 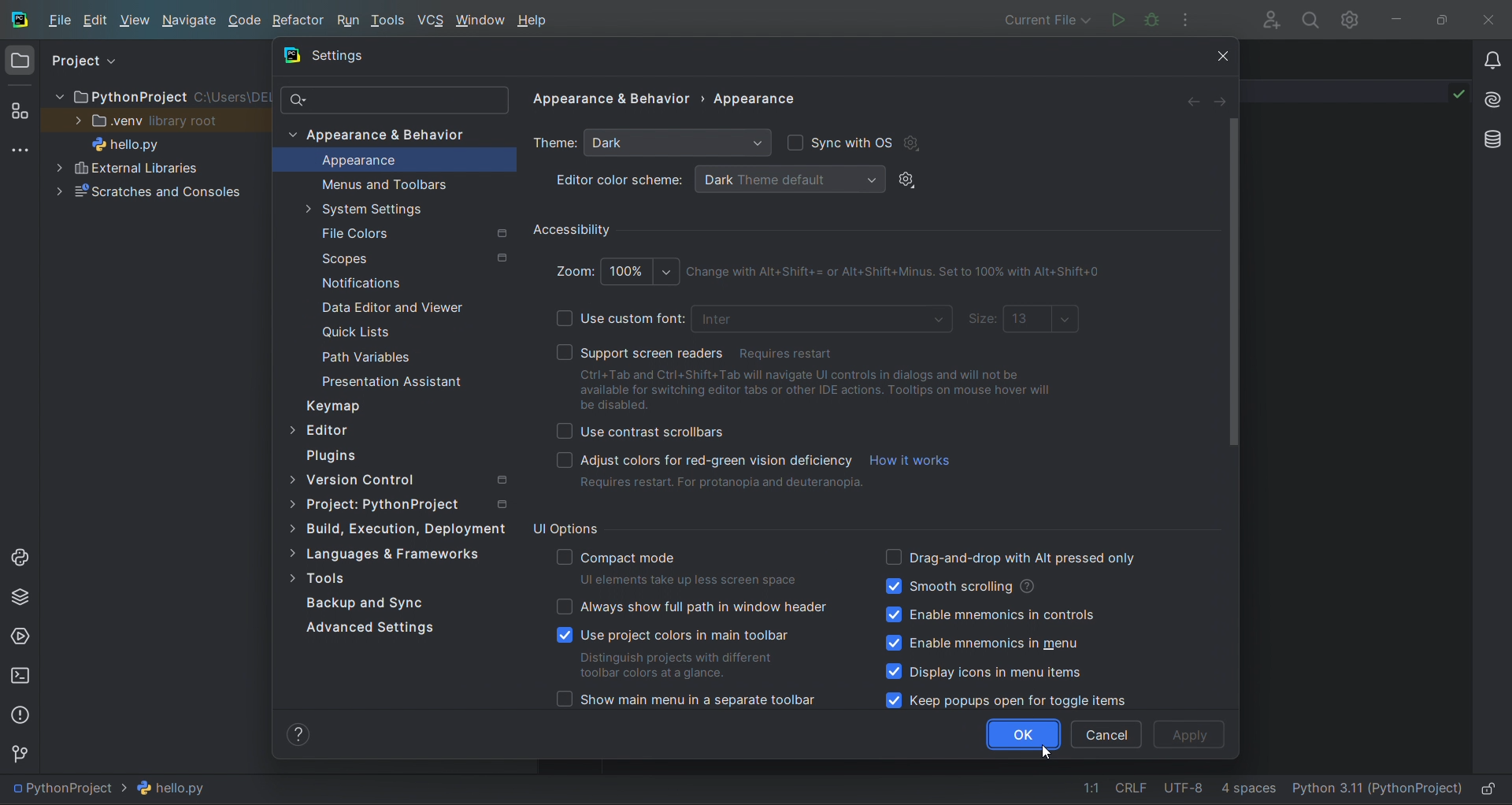 What do you see at coordinates (573, 271) in the screenshot?
I see `zoom` at bounding box center [573, 271].